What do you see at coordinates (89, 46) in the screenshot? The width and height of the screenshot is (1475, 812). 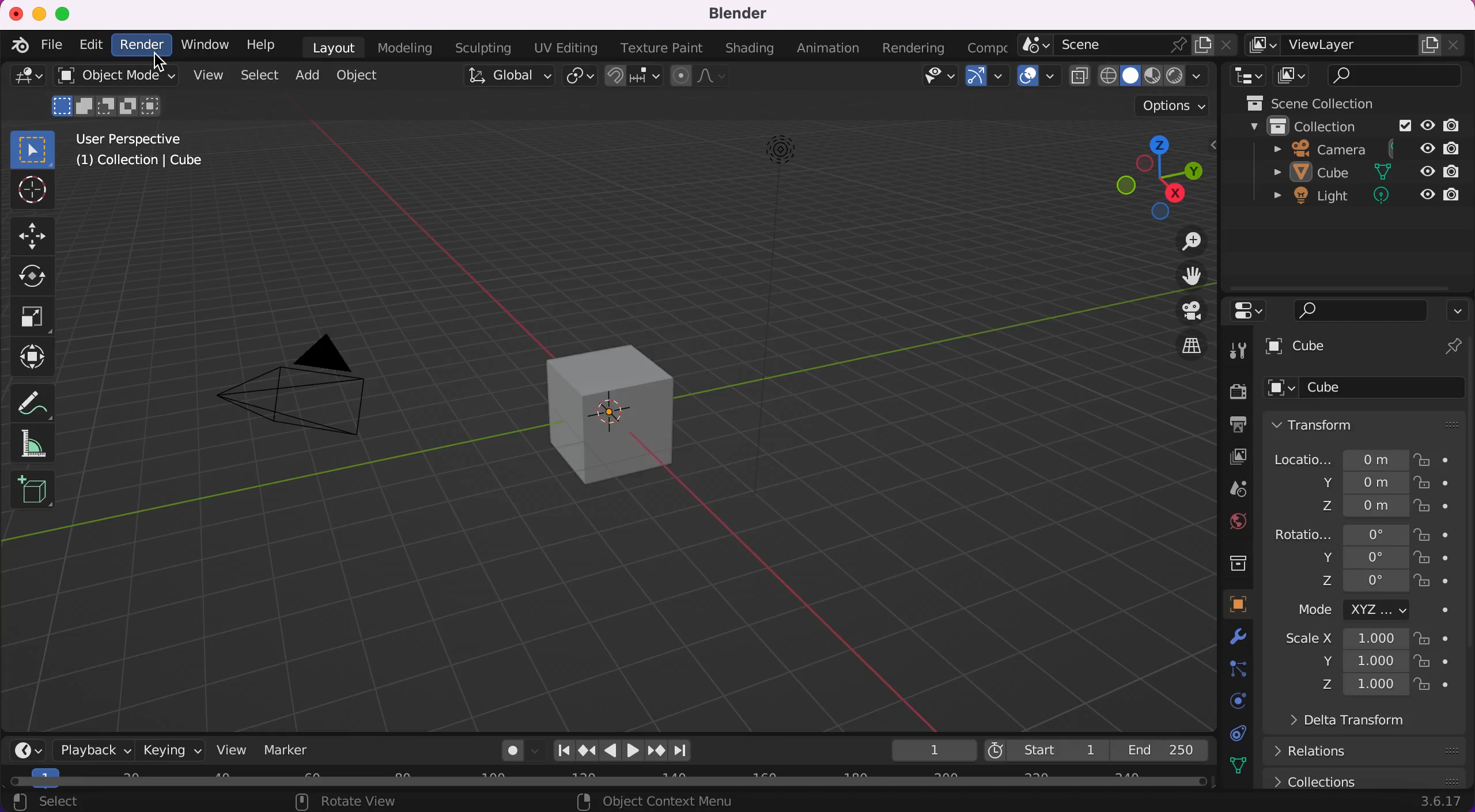 I see `edit` at bounding box center [89, 46].